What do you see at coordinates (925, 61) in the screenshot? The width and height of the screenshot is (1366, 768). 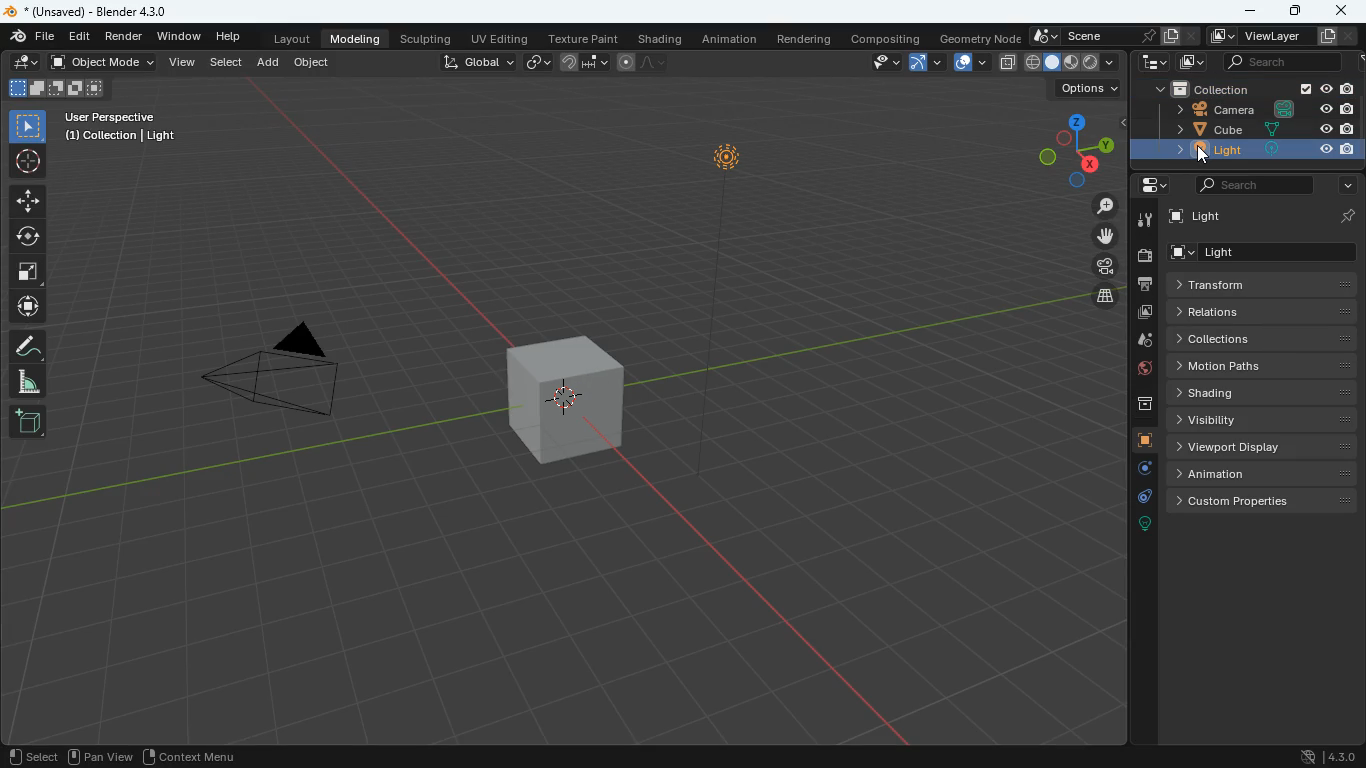 I see `arrow` at bounding box center [925, 61].